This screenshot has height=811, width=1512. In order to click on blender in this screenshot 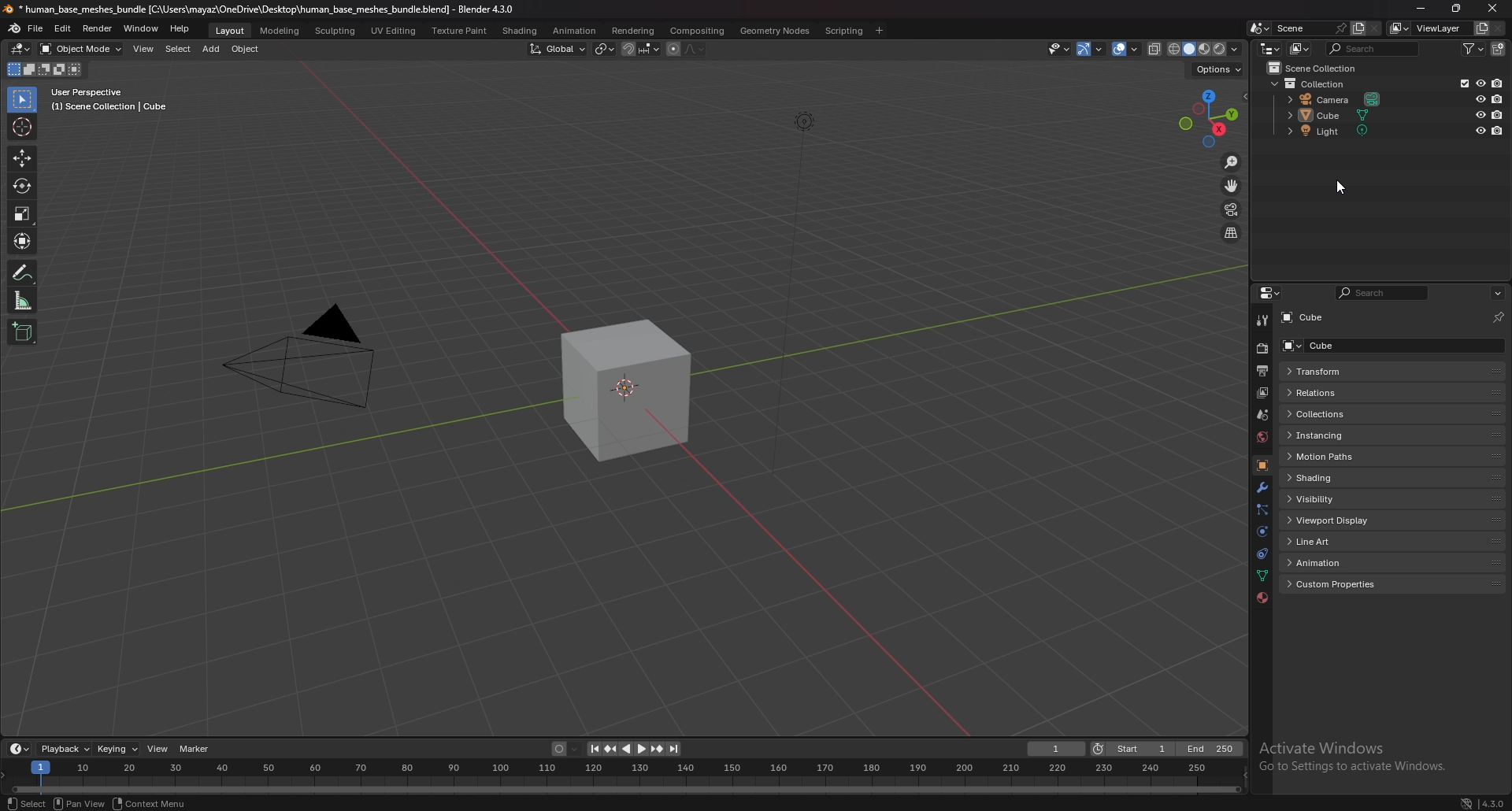, I will do `click(16, 28)`.